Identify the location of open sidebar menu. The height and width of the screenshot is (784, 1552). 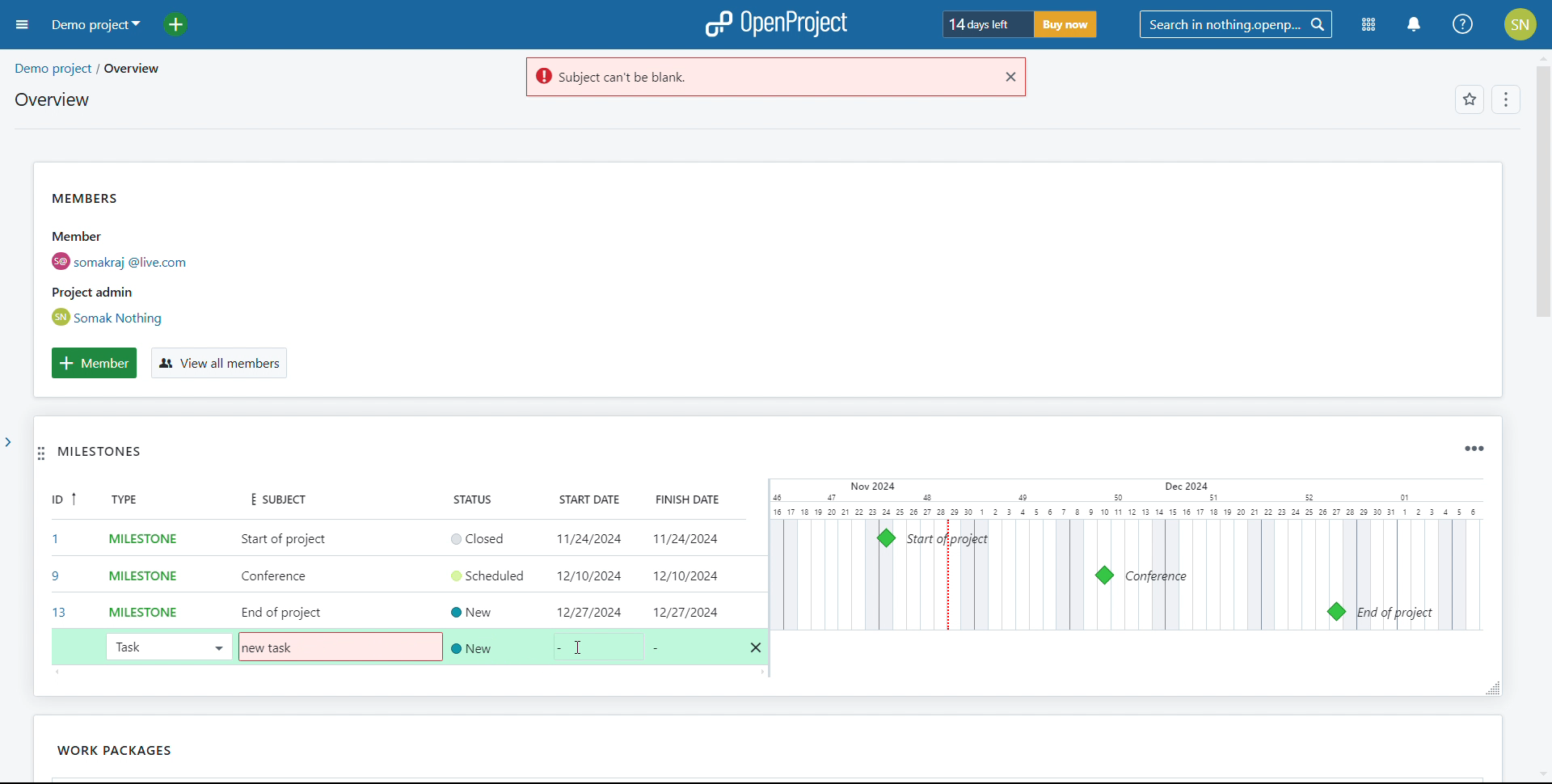
(23, 25).